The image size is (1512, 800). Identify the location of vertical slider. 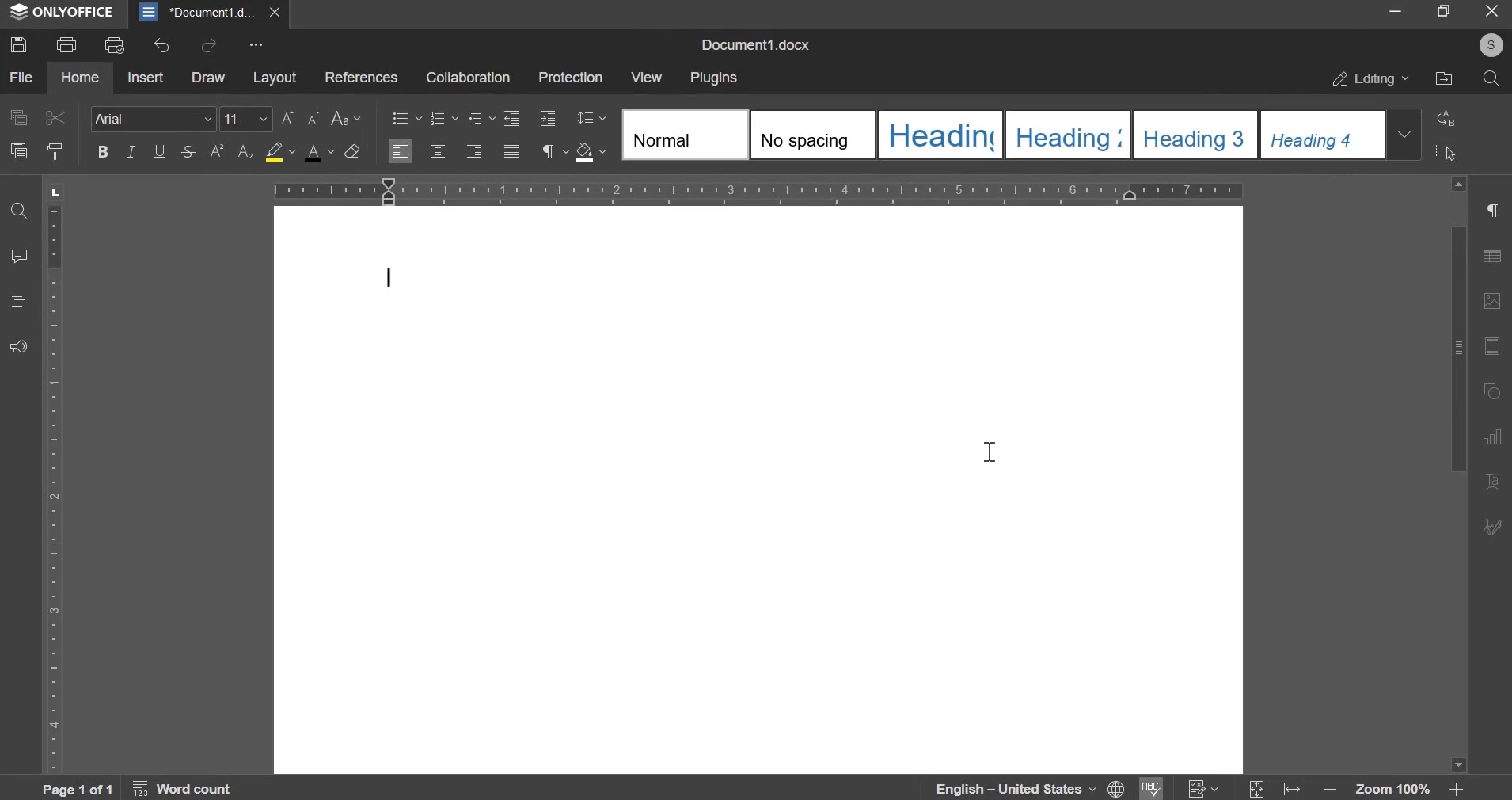
(1460, 470).